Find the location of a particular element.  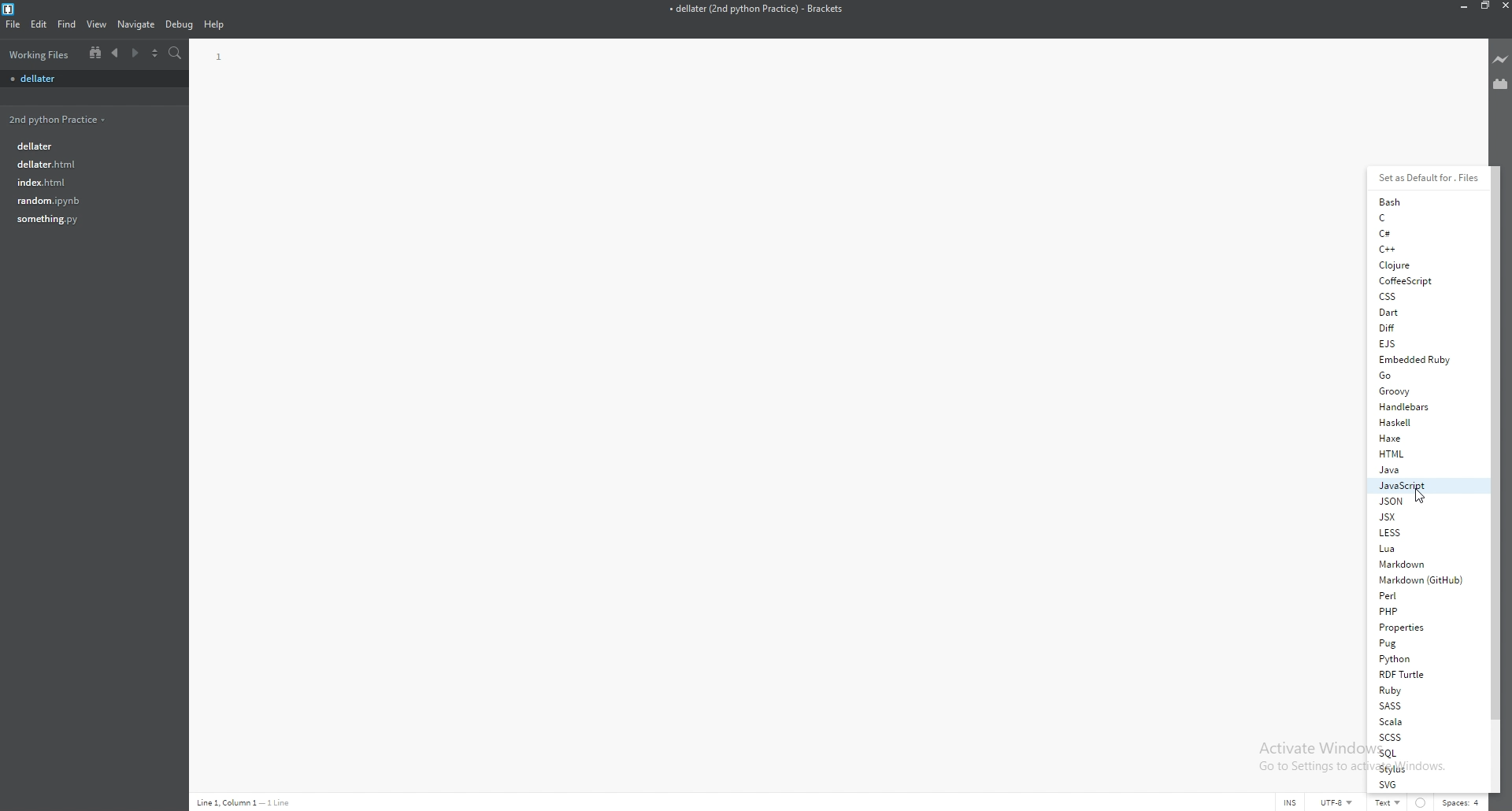

previous is located at coordinates (115, 53).